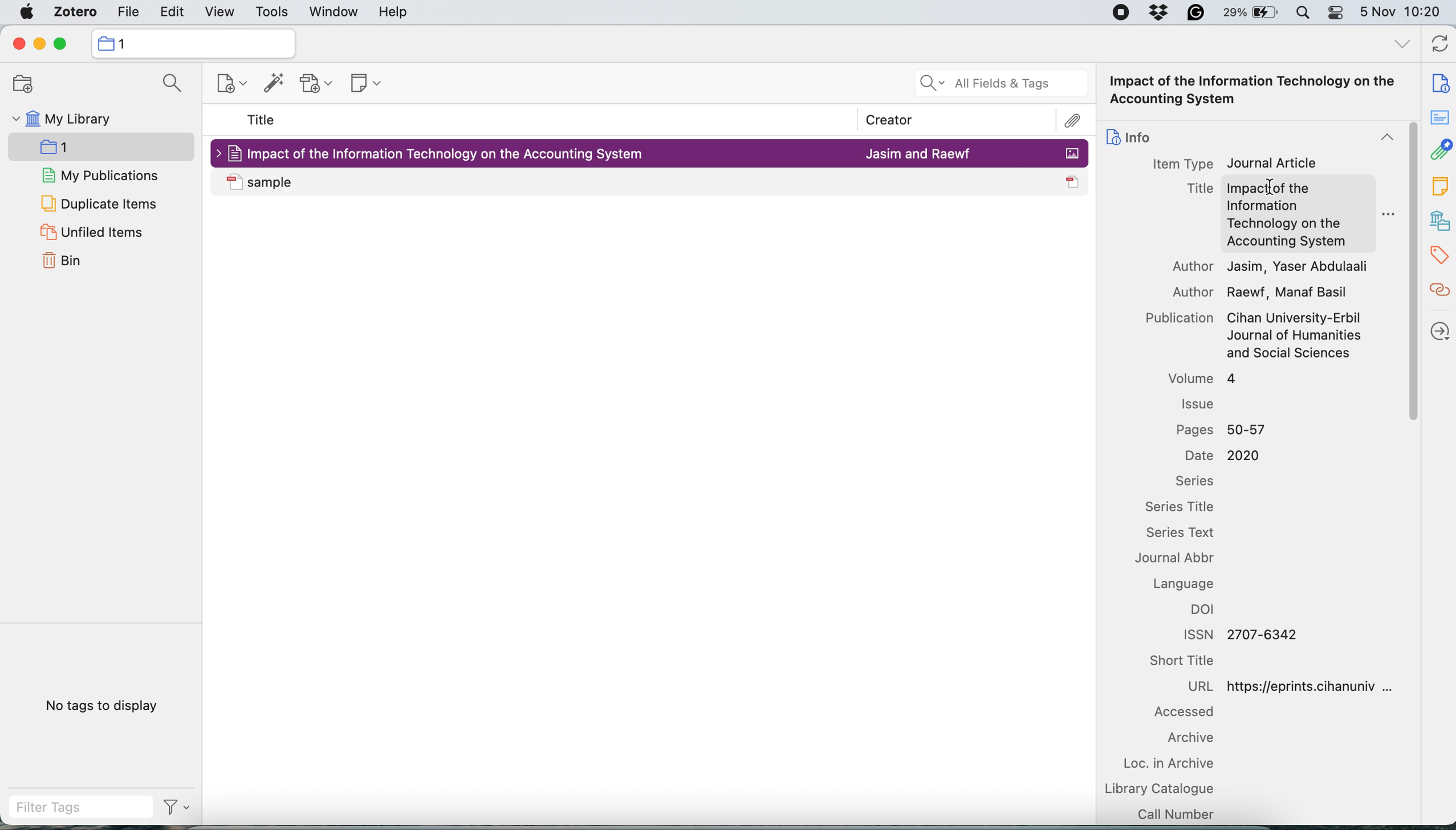 The image size is (1456, 830). Describe the element at coordinates (1228, 456) in the screenshot. I see `Date 2020` at that location.